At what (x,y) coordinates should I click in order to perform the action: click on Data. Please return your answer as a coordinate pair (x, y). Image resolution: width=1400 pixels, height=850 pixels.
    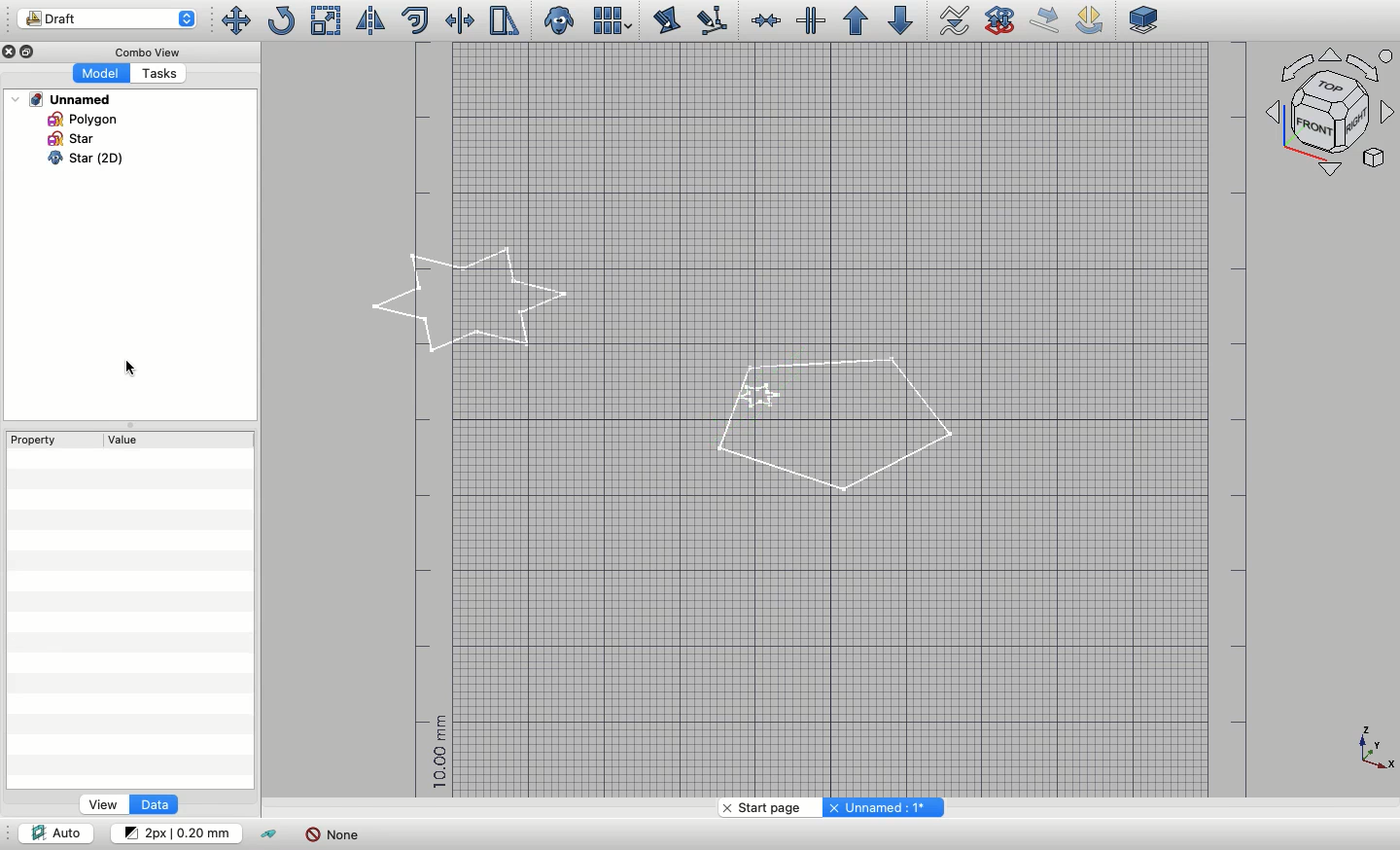
    Looking at the image, I should click on (153, 804).